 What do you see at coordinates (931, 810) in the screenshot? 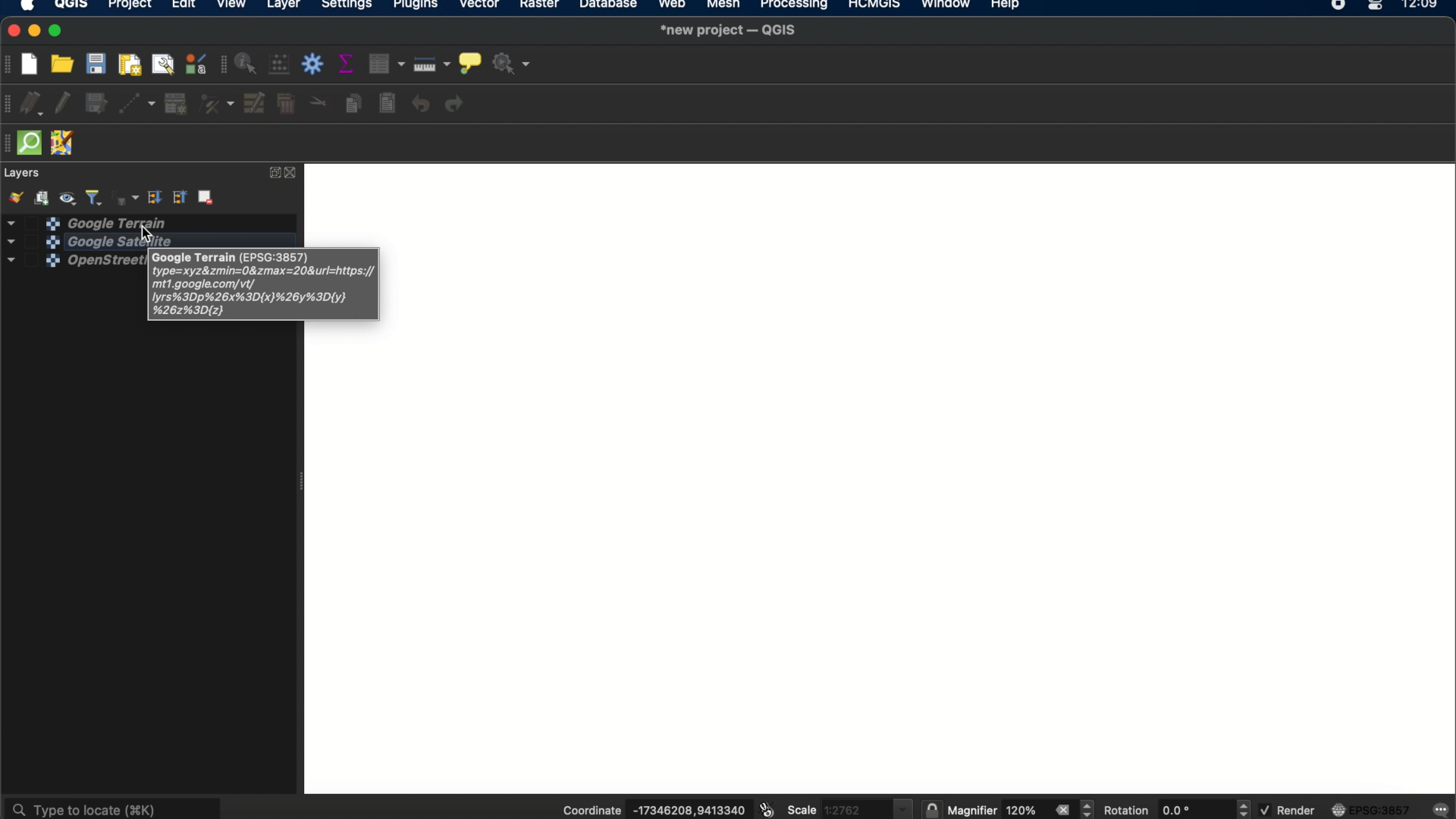
I see `lock scale` at bounding box center [931, 810].